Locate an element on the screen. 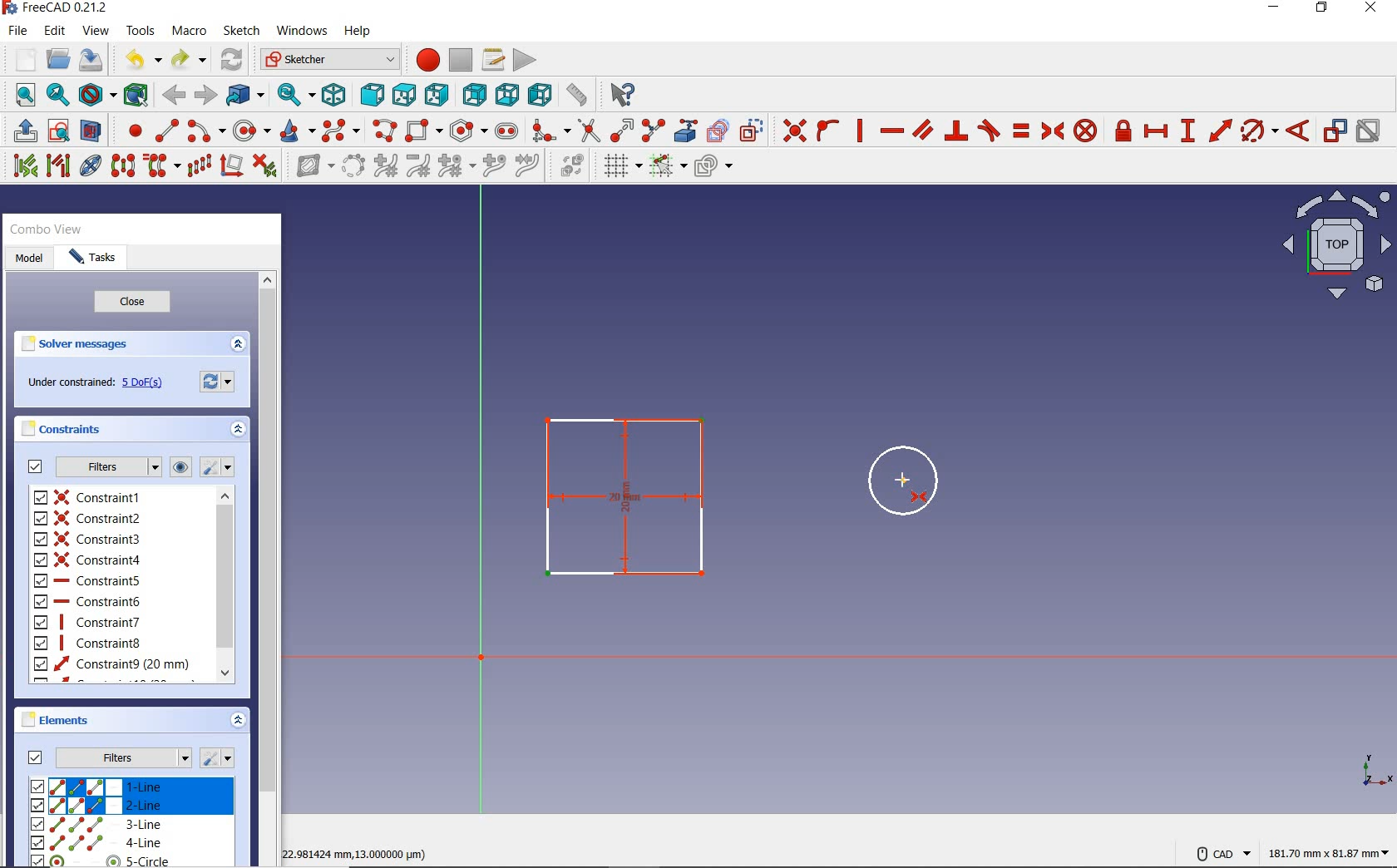 This screenshot has width=1397, height=868. fit all is located at coordinates (20, 96).